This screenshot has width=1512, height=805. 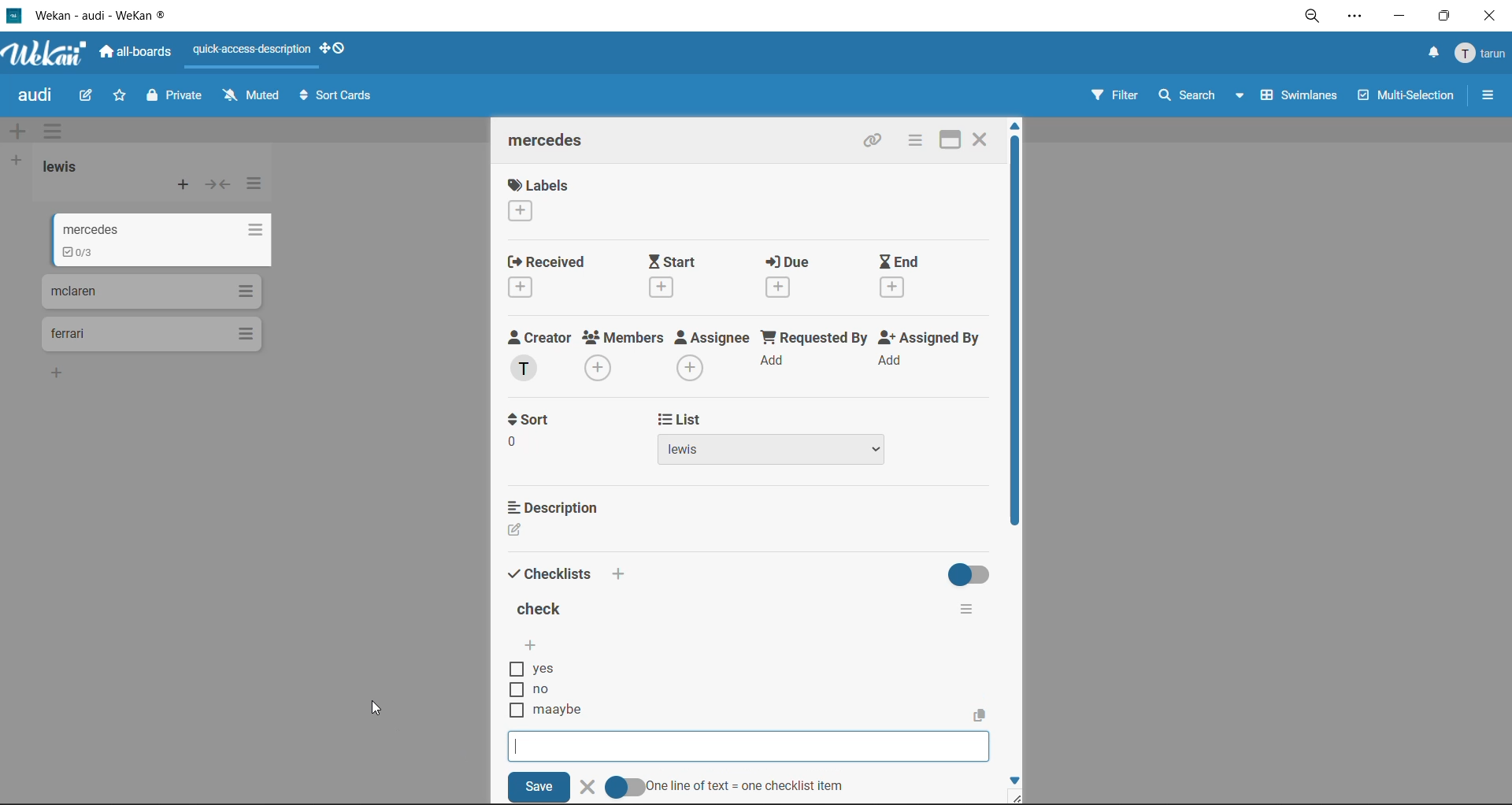 What do you see at coordinates (547, 198) in the screenshot?
I see `label` at bounding box center [547, 198].